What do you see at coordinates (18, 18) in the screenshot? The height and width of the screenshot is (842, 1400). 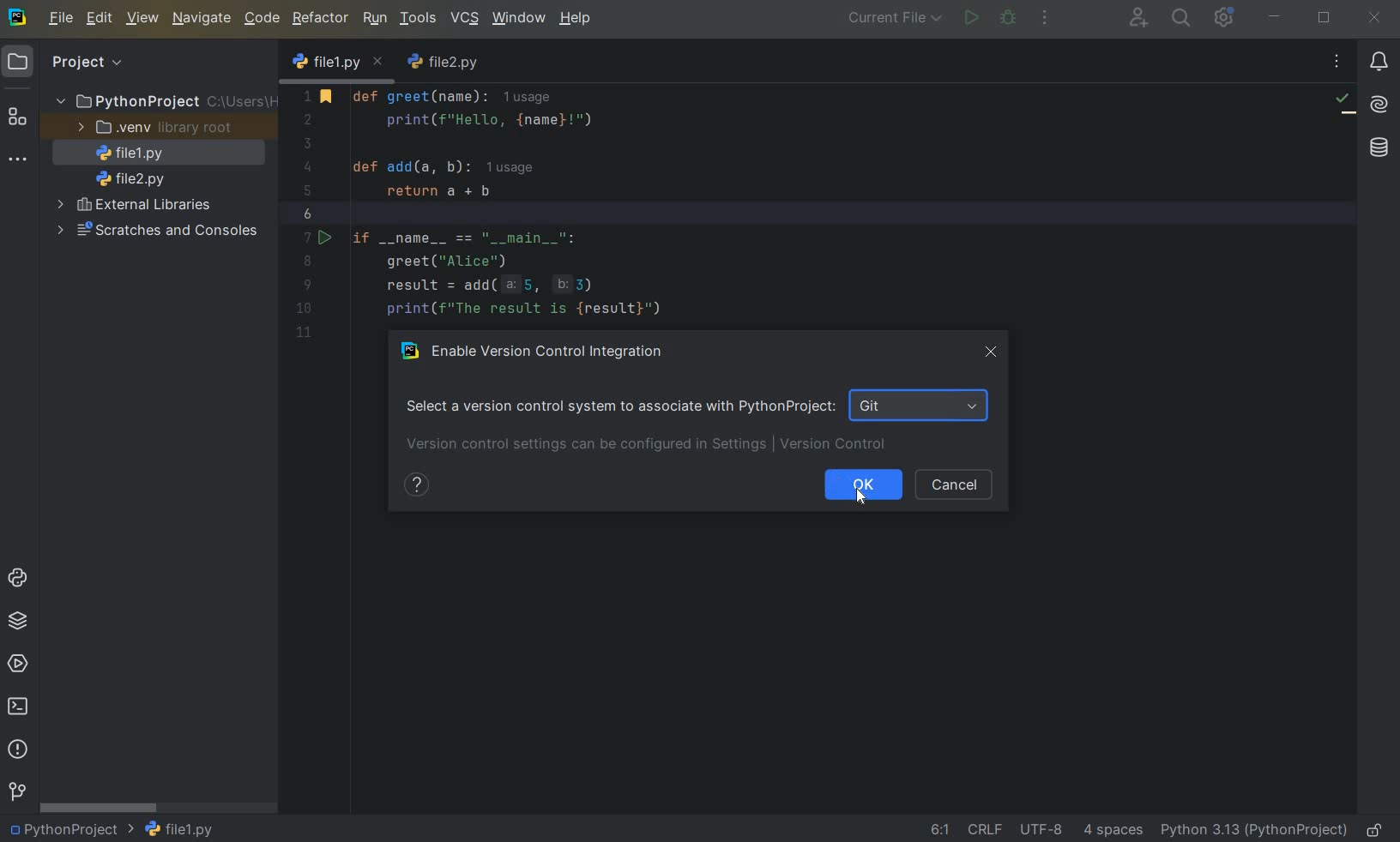 I see `system logo` at bounding box center [18, 18].